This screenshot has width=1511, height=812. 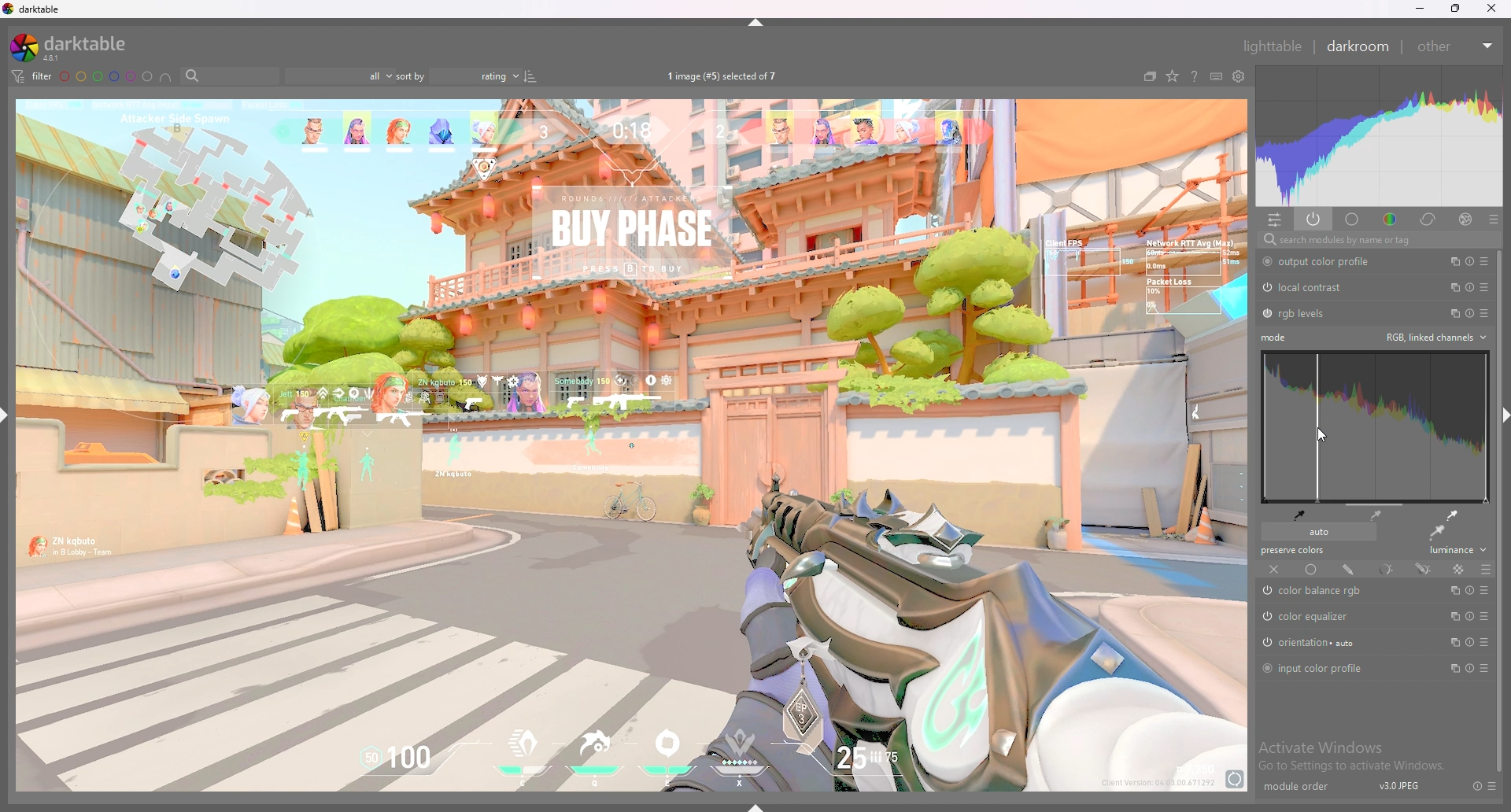 I want to click on reset, so click(x=1472, y=785).